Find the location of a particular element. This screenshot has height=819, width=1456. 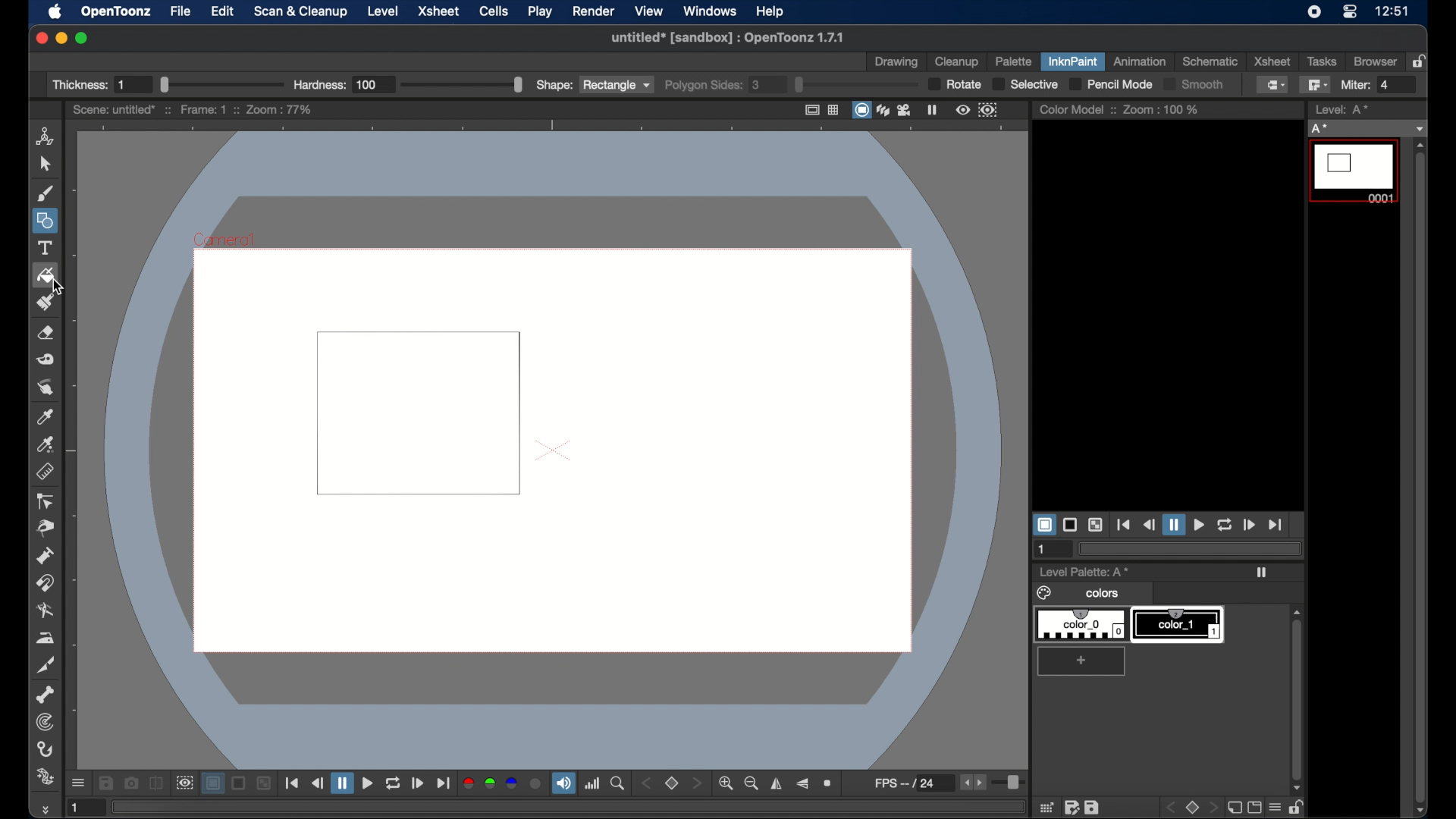

locator is located at coordinates (617, 783).